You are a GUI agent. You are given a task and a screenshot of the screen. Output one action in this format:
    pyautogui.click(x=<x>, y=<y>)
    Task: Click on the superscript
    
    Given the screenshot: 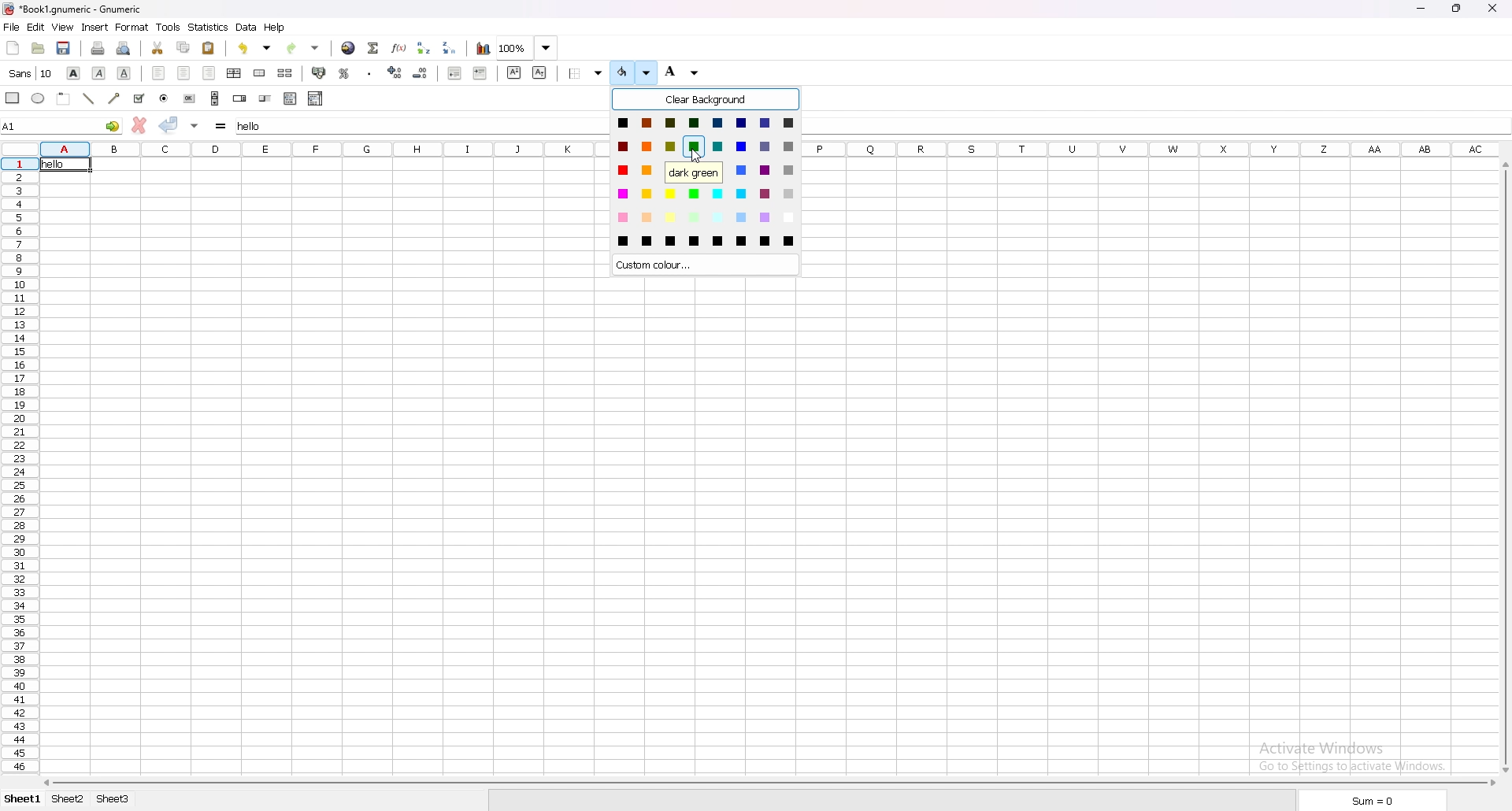 What is the action you would take?
    pyautogui.click(x=515, y=72)
    